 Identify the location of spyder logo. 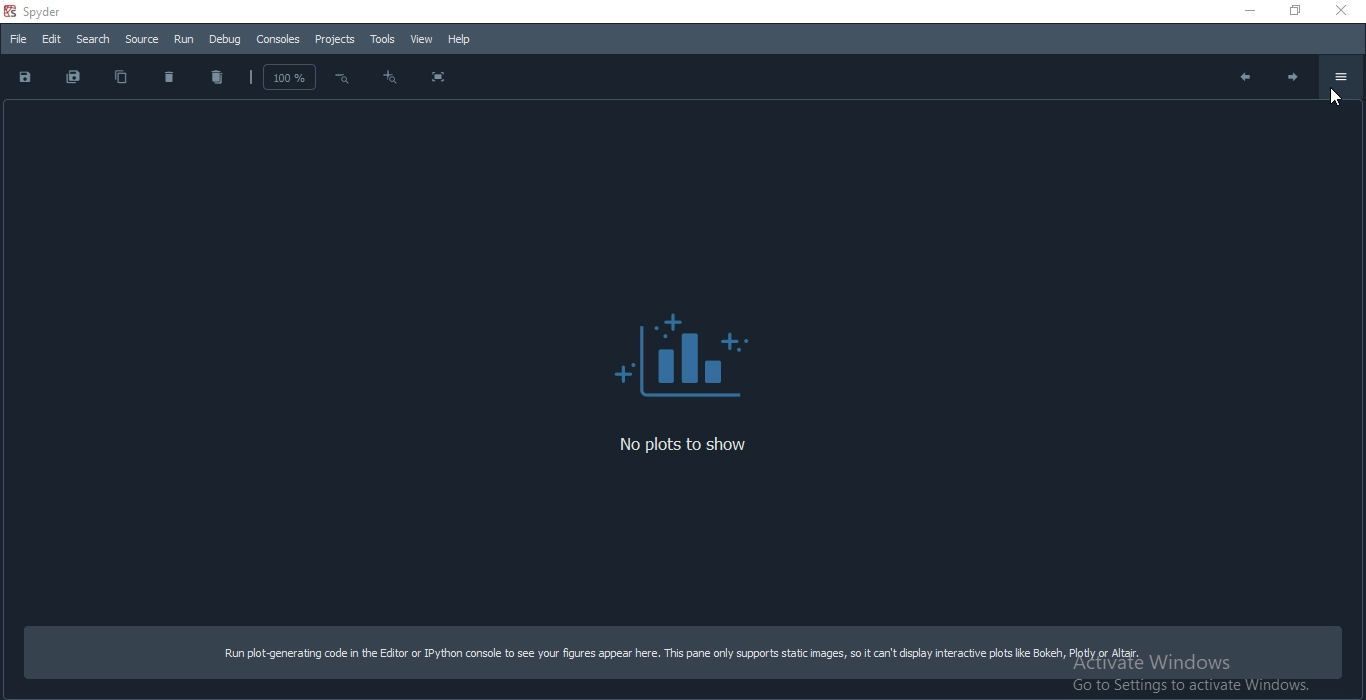
(9, 11).